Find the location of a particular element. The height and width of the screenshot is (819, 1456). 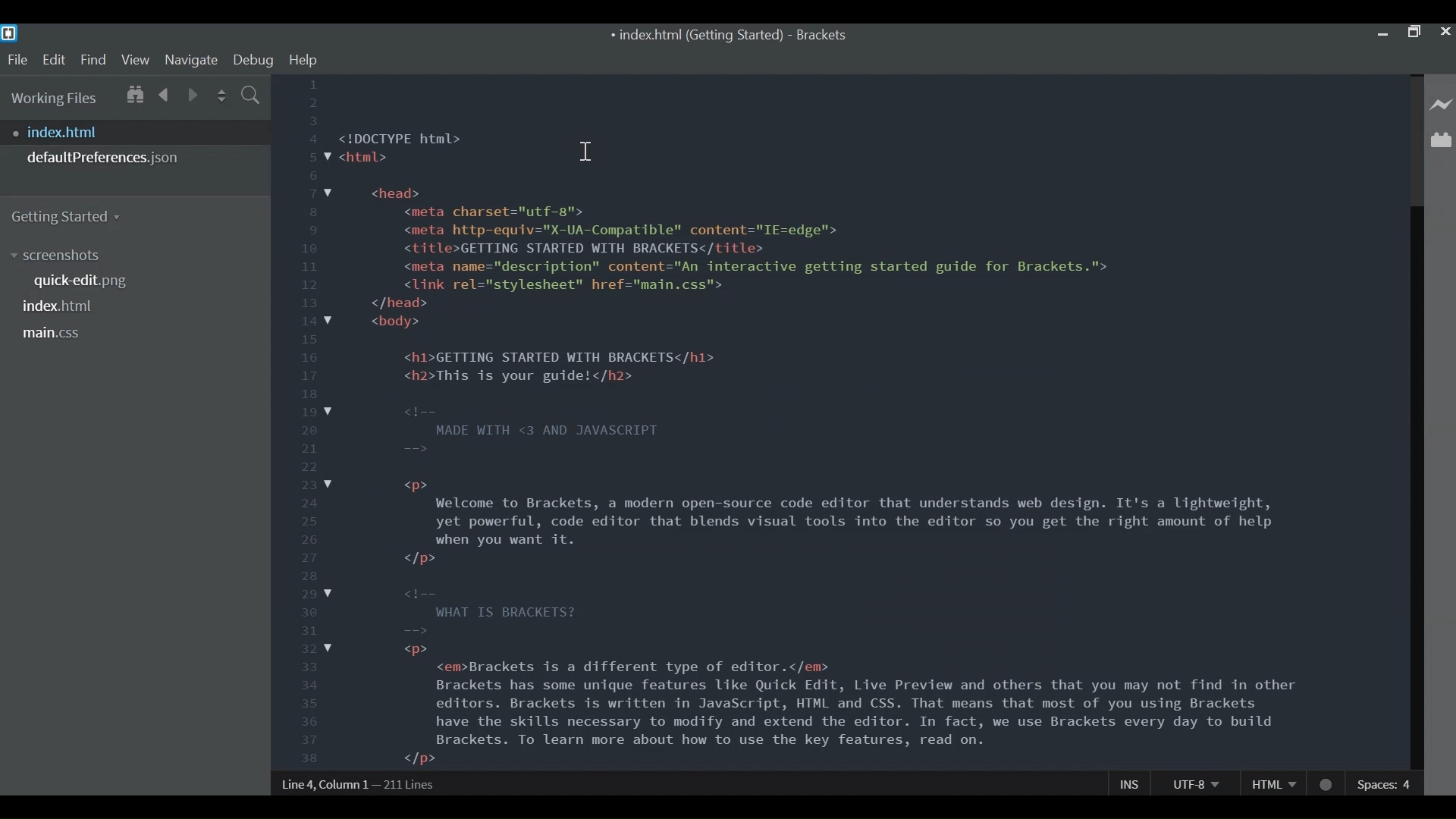

Navigate Forward is located at coordinates (193, 93).